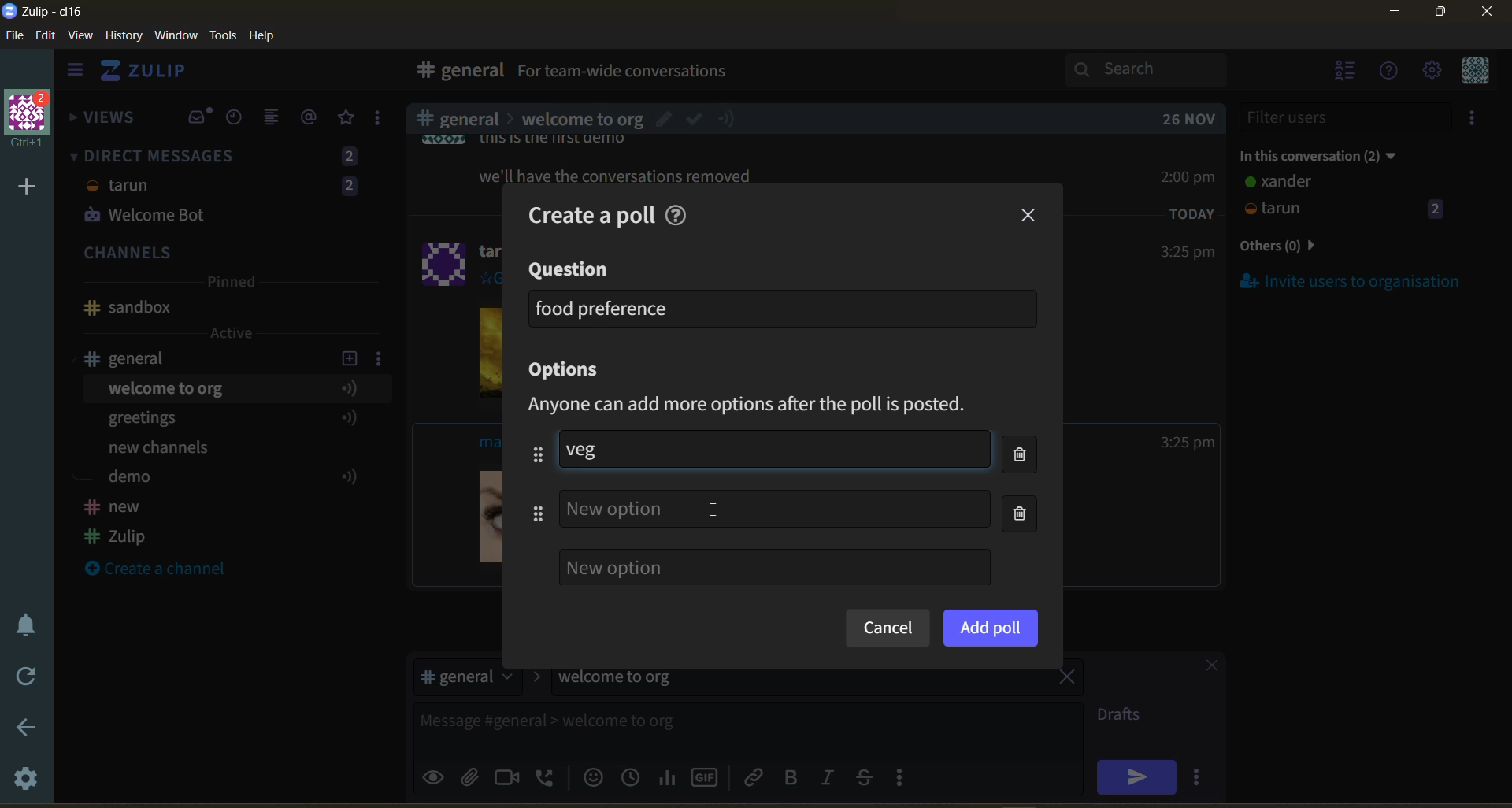  Describe the element at coordinates (1190, 176) in the screenshot. I see `2:00 pm` at that location.